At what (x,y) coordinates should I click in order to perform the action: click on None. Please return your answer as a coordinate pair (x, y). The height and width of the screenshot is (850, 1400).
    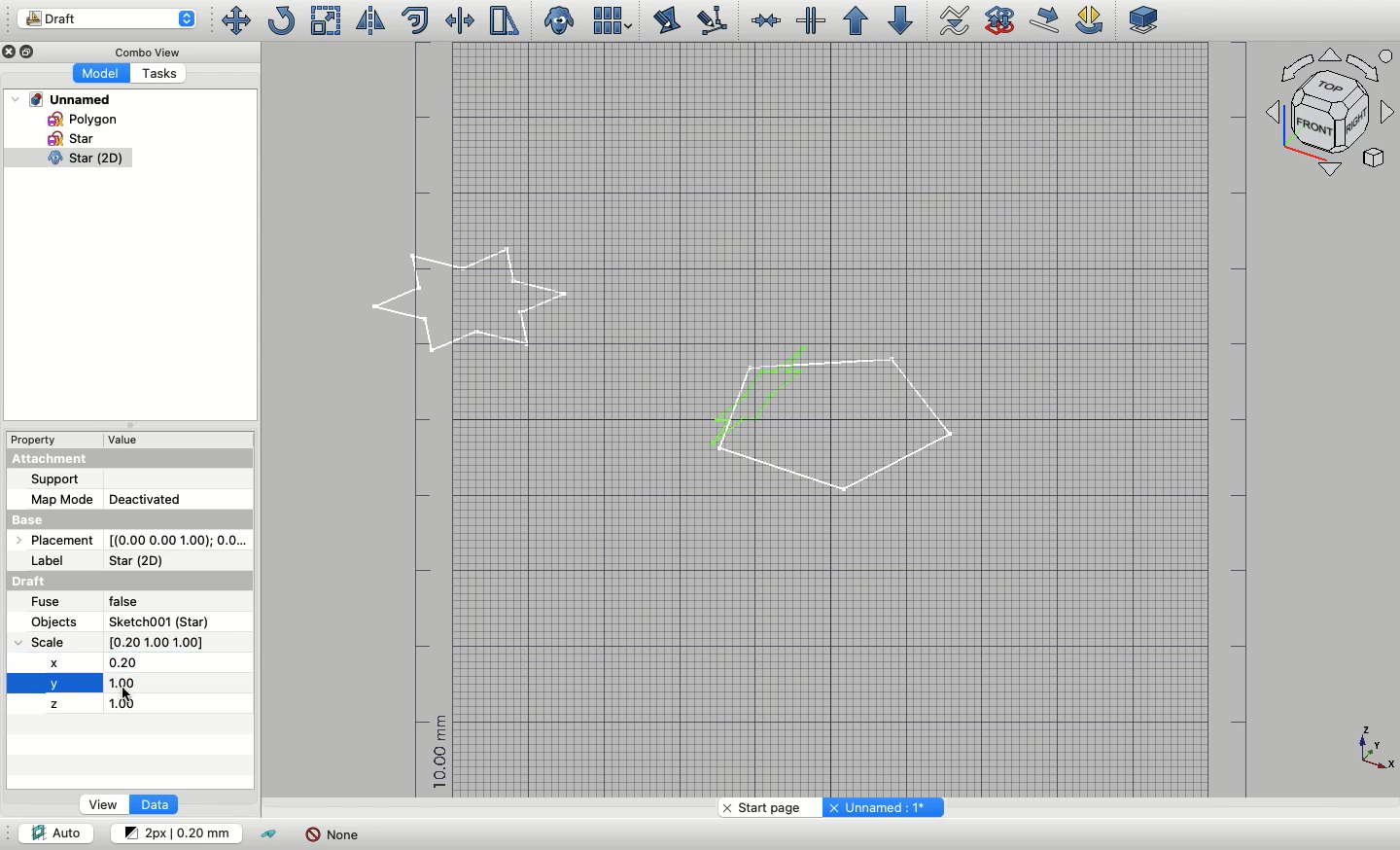
    Looking at the image, I should click on (332, 834).